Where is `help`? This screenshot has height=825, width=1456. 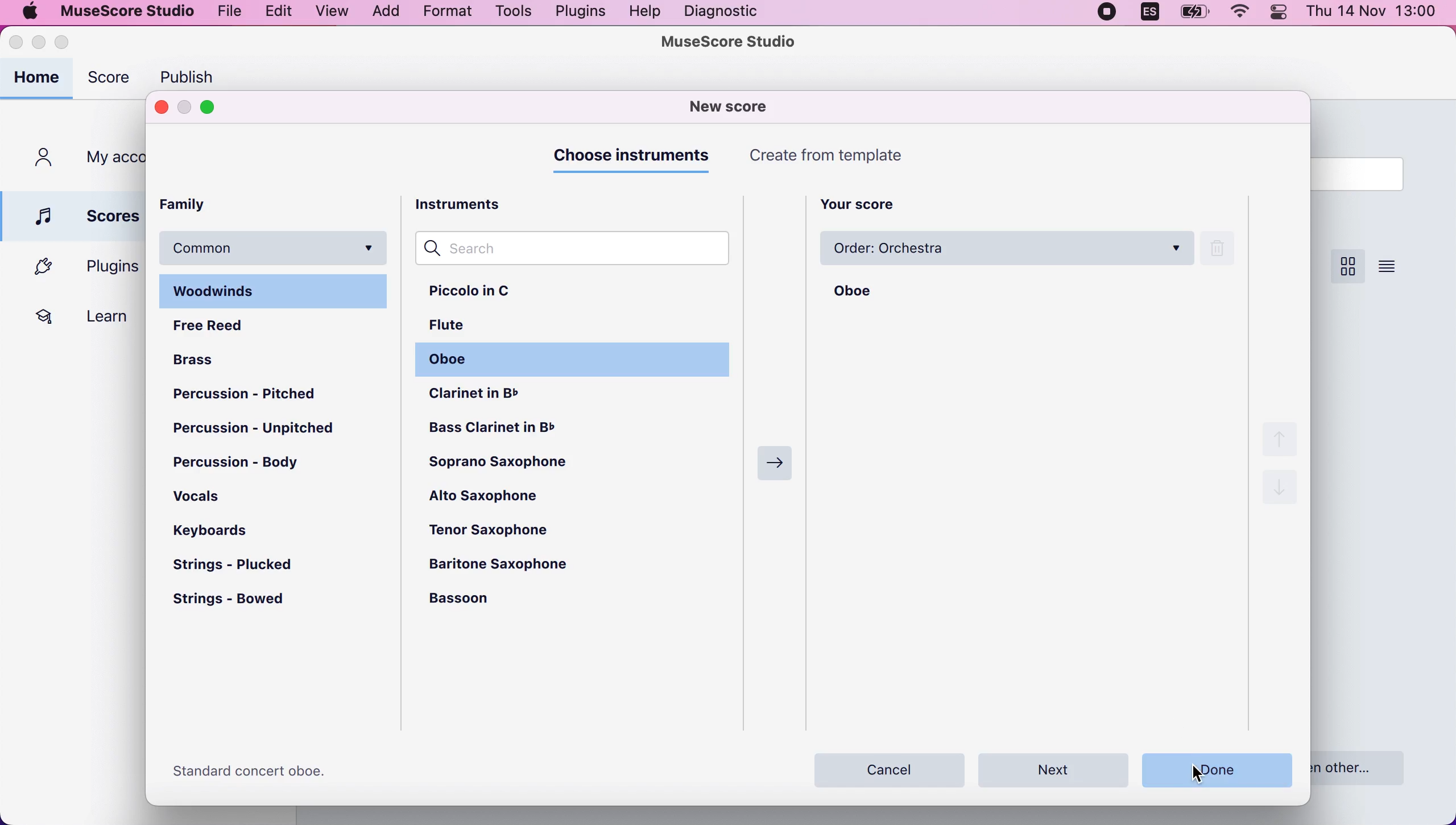 help is located at coordinates (646, 13).